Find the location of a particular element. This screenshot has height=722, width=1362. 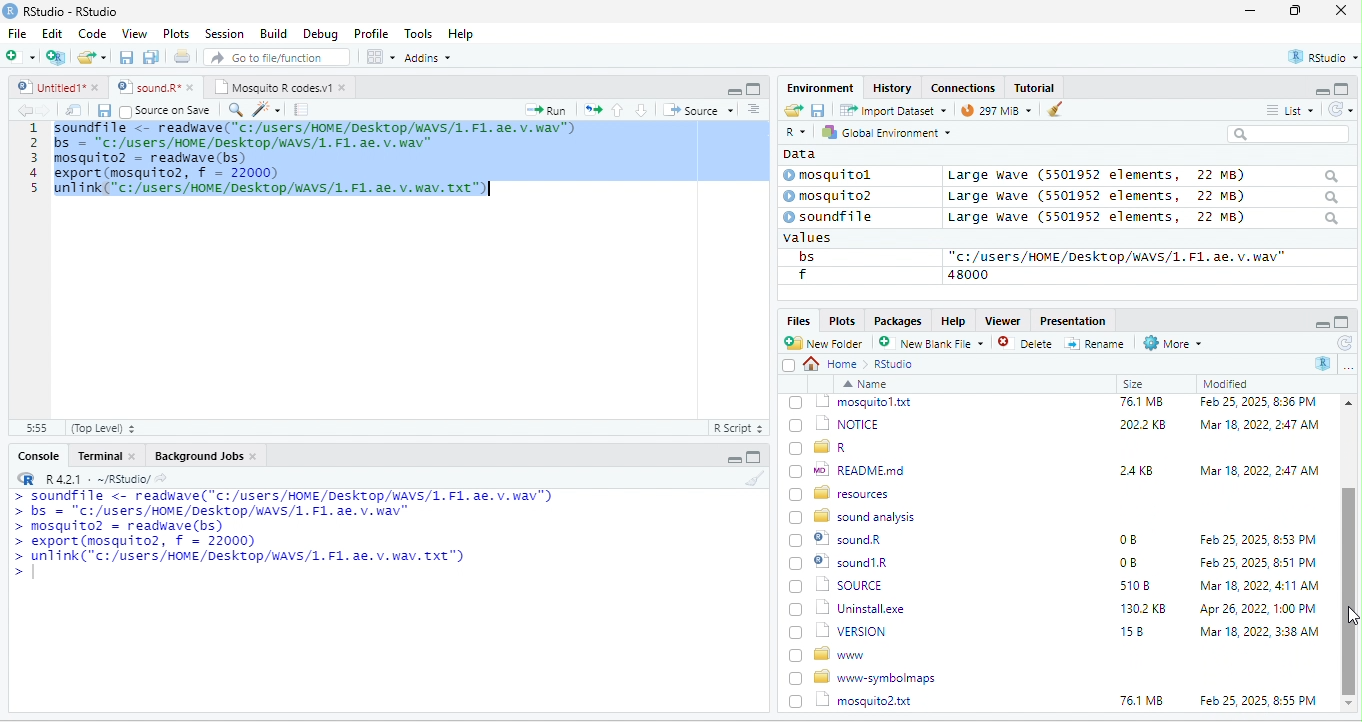

76.1 MB is located at coordinates (1141, 519).